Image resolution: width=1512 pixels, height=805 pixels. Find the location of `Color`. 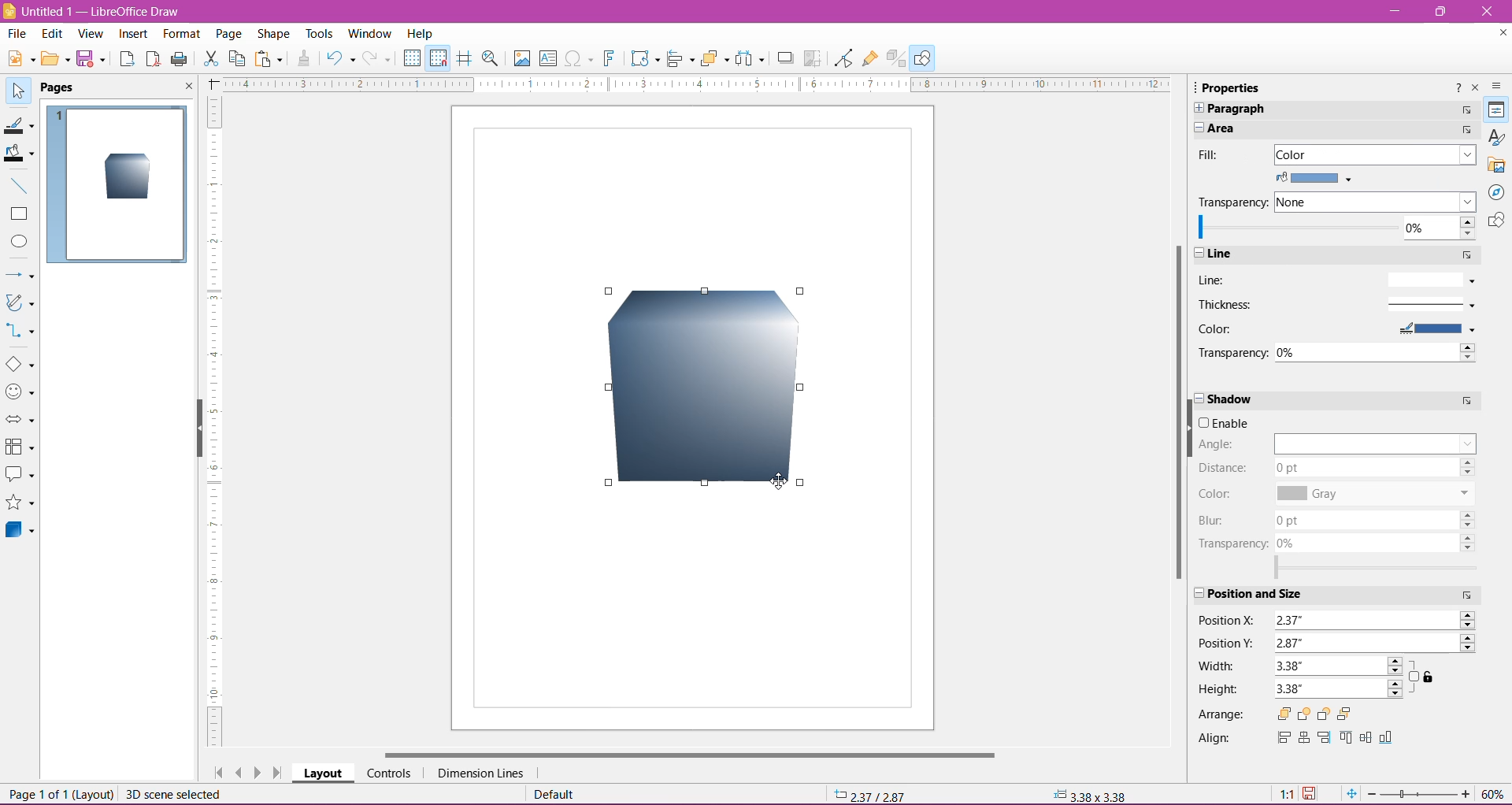

Color is located at coordinates (1217, 329).